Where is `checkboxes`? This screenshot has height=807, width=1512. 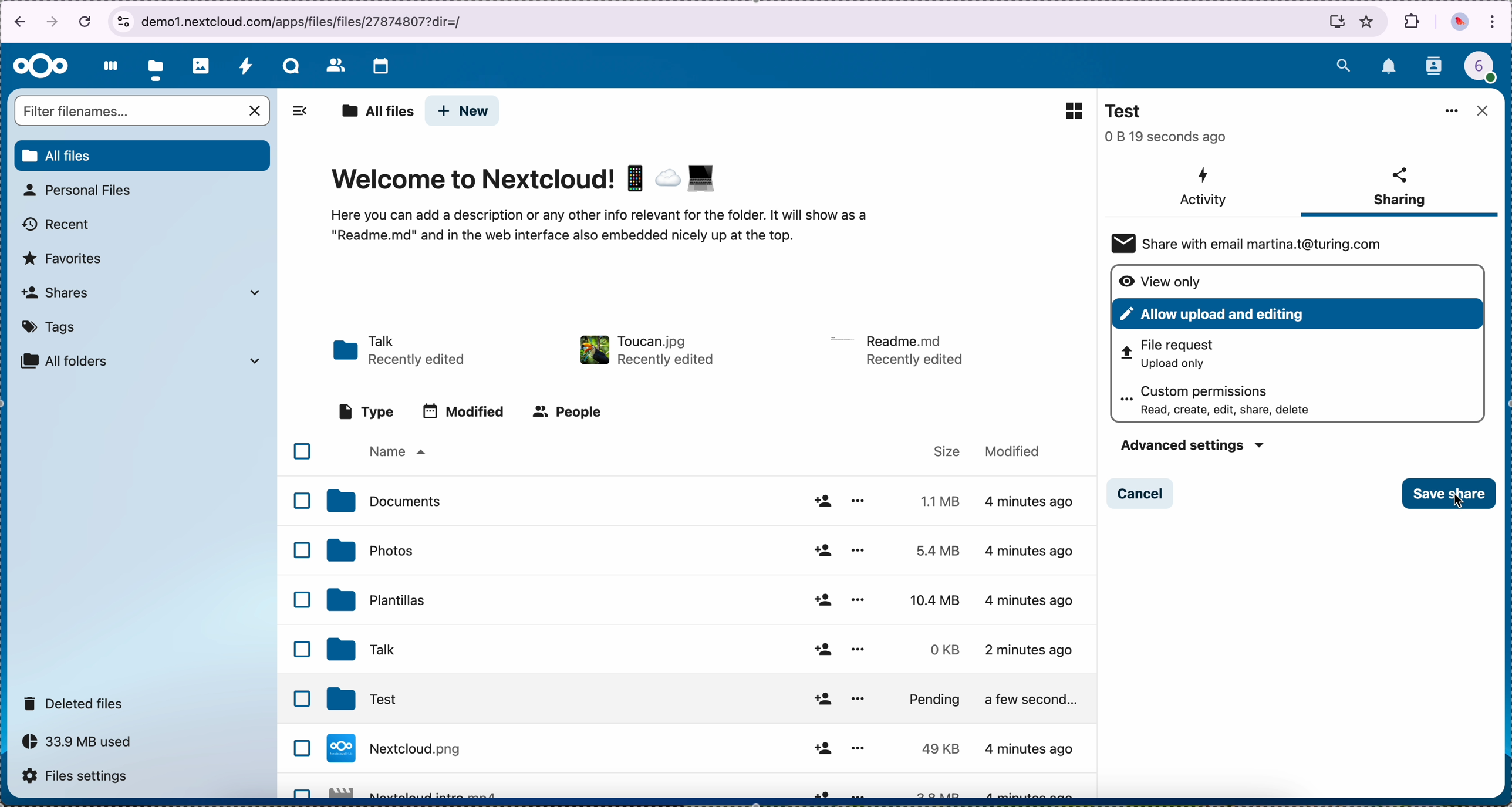 checkboxes is located at coordinates (296, 614).